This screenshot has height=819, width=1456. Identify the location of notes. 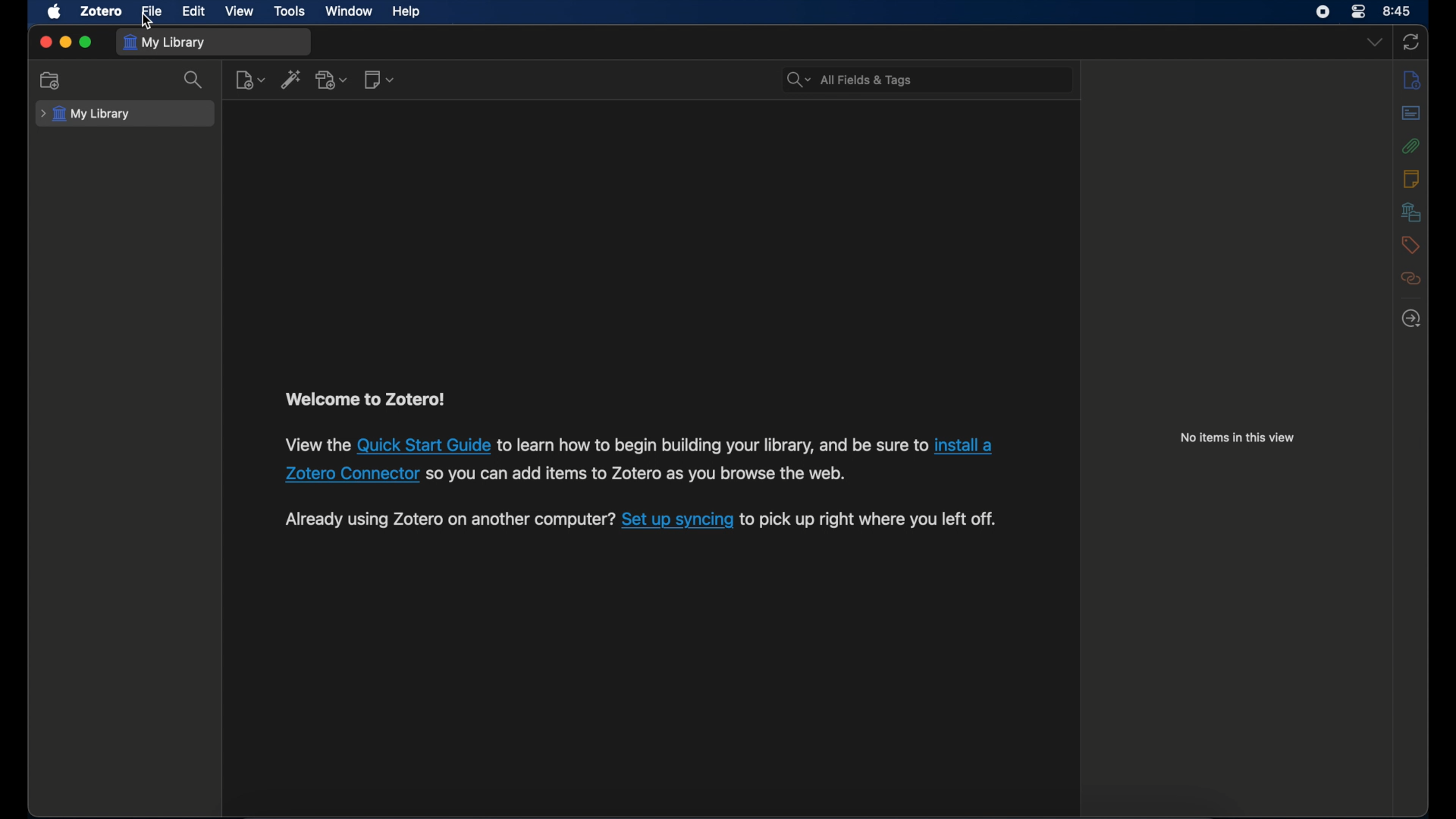
(1411, 177).